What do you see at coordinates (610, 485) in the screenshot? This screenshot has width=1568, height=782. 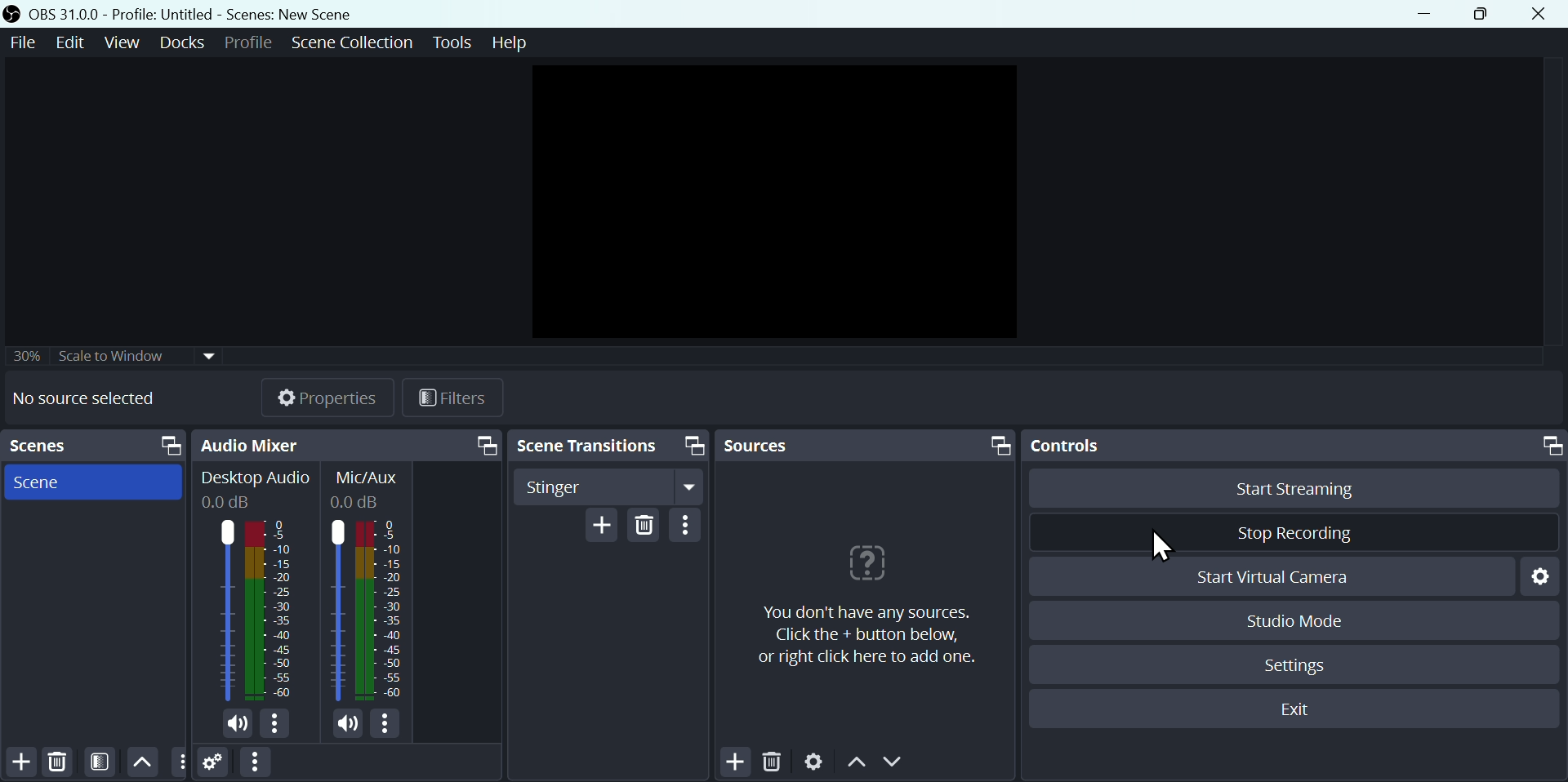 I see `Stinger` at bounding box center [610, 485].